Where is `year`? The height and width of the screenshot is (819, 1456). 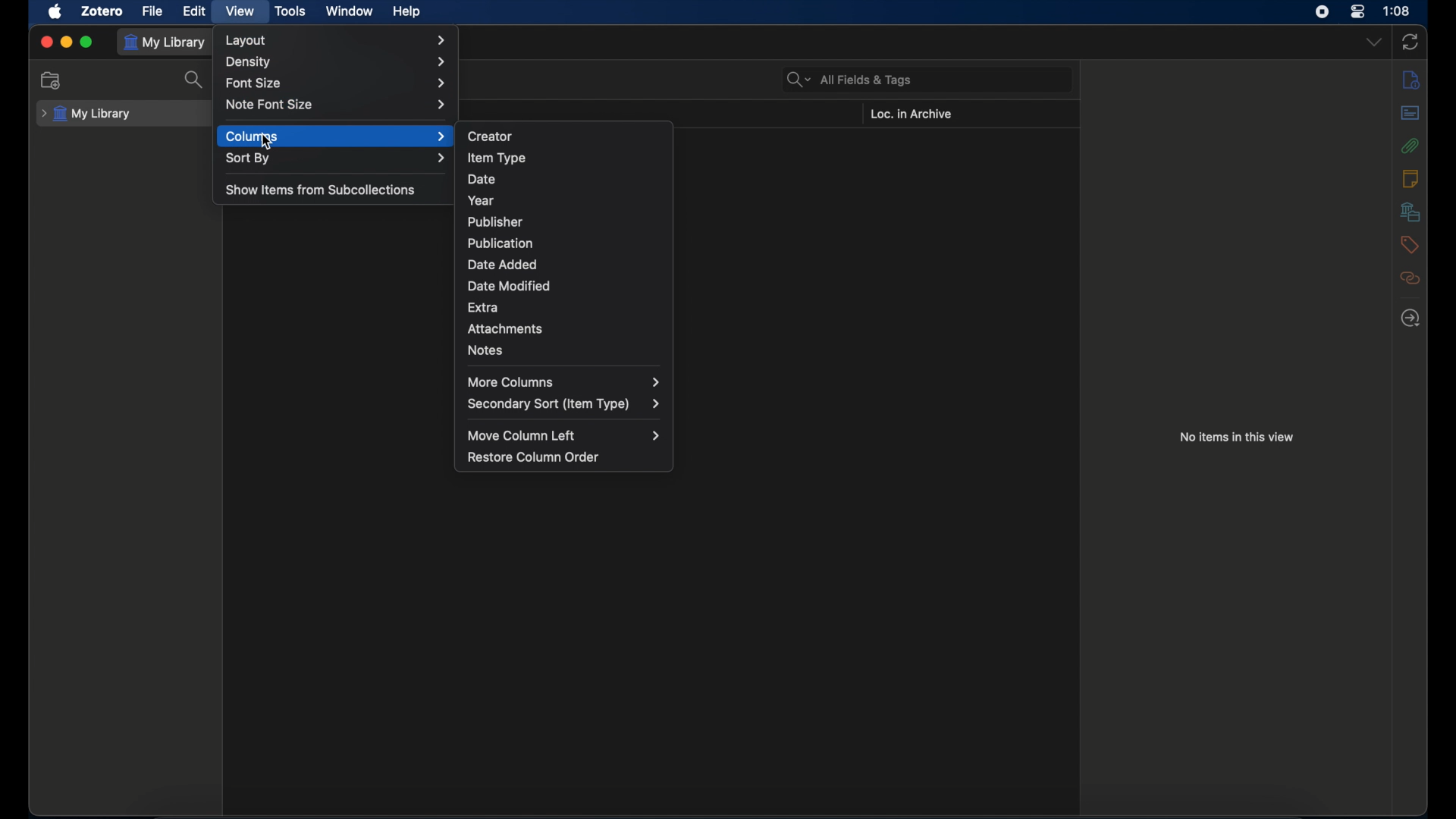
year is located at coordinates (481, 200).